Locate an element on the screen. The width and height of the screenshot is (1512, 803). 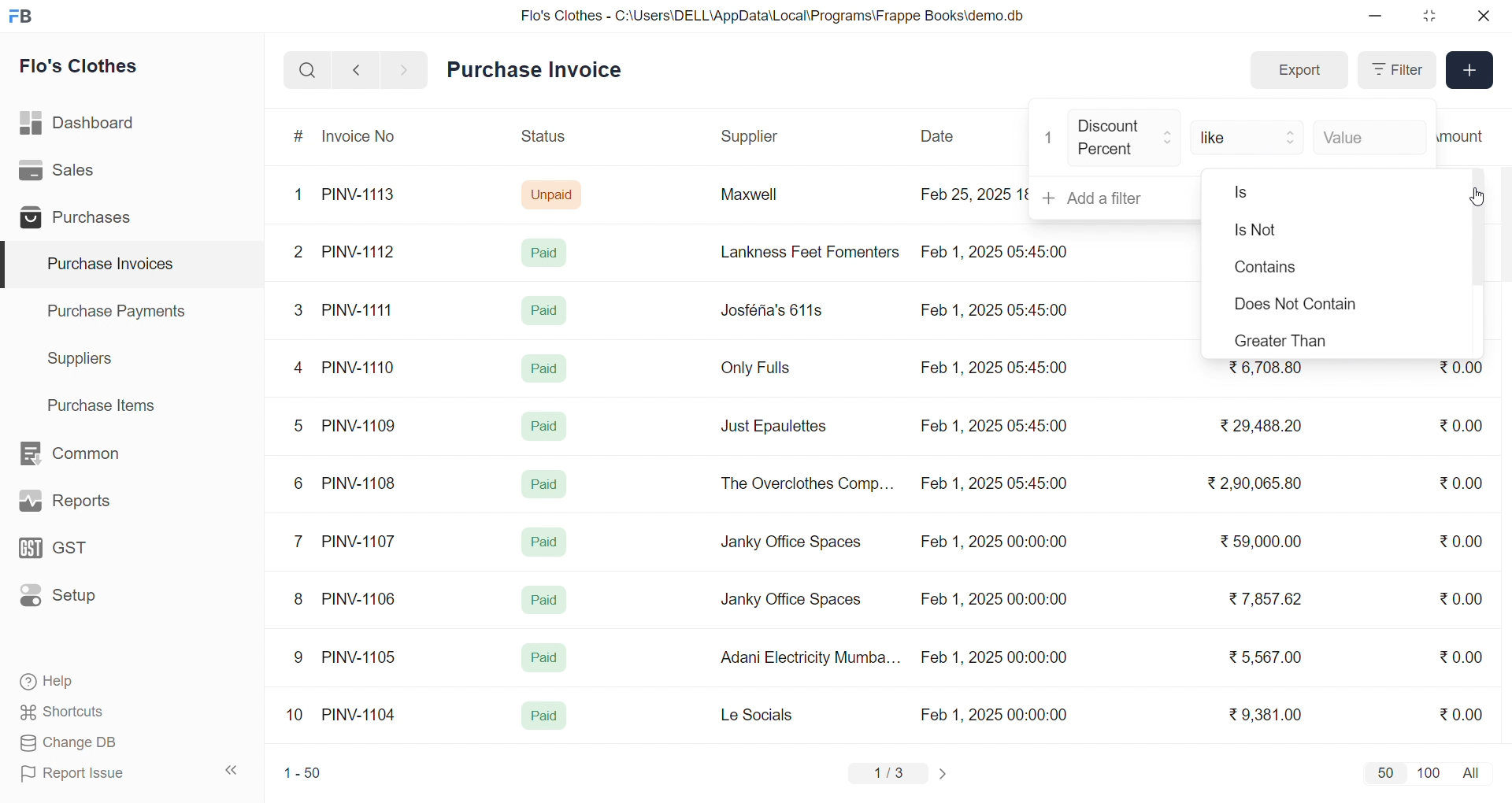
PINV-1111 is located at coordinates (359, 309).